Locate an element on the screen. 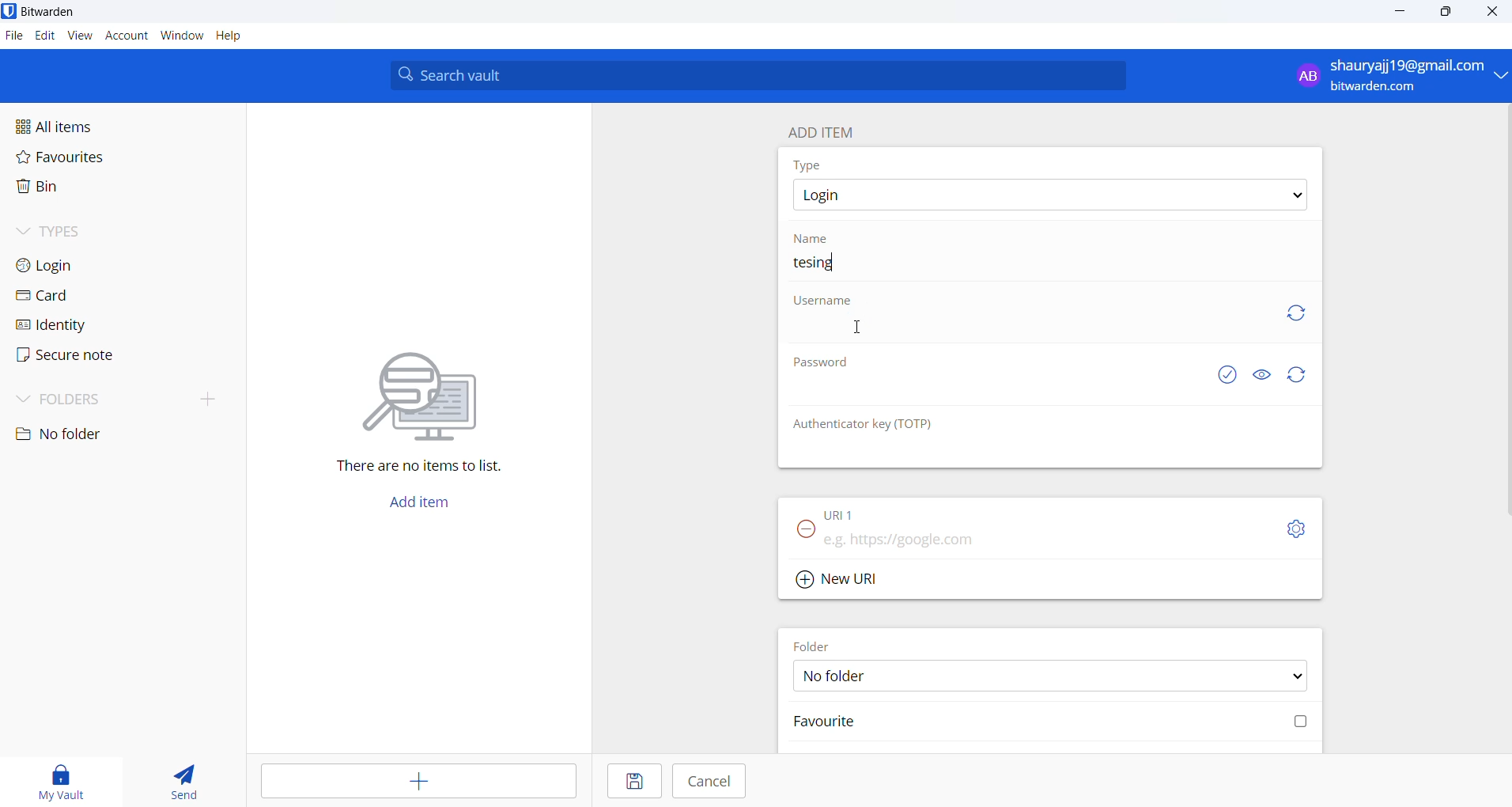 Image resolution: width=1512 pixels, height=807 pixels. cursor is located at coordinates (860, 328).